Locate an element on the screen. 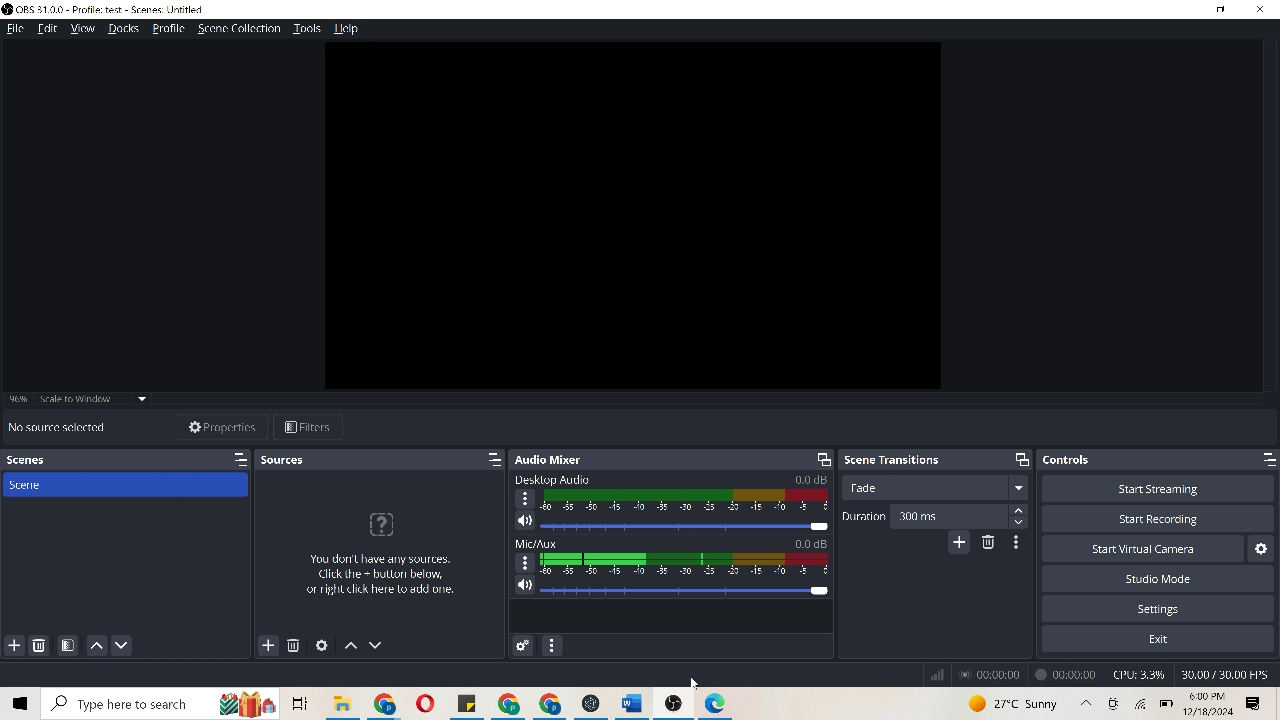  speaker is located at coordinates (523, 585).